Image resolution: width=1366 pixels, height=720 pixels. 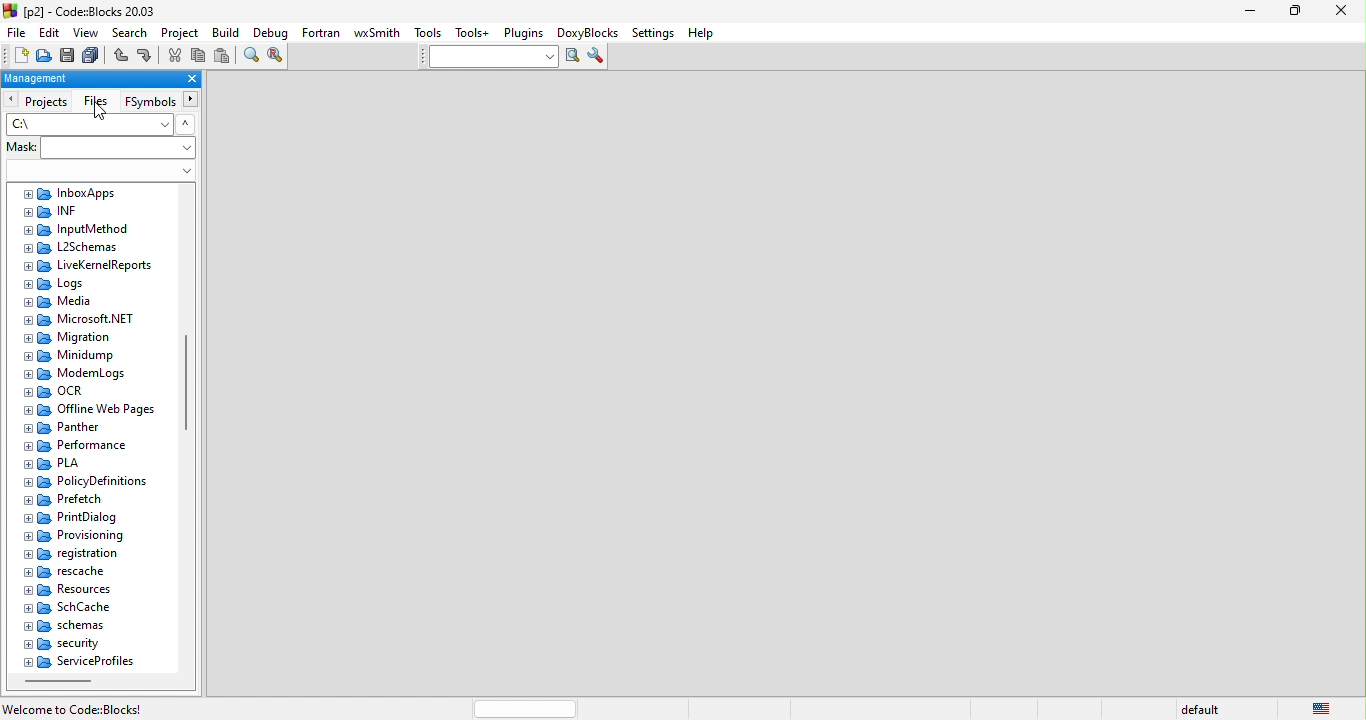 I want to click on offline web pages, so click(x=93, y=409).